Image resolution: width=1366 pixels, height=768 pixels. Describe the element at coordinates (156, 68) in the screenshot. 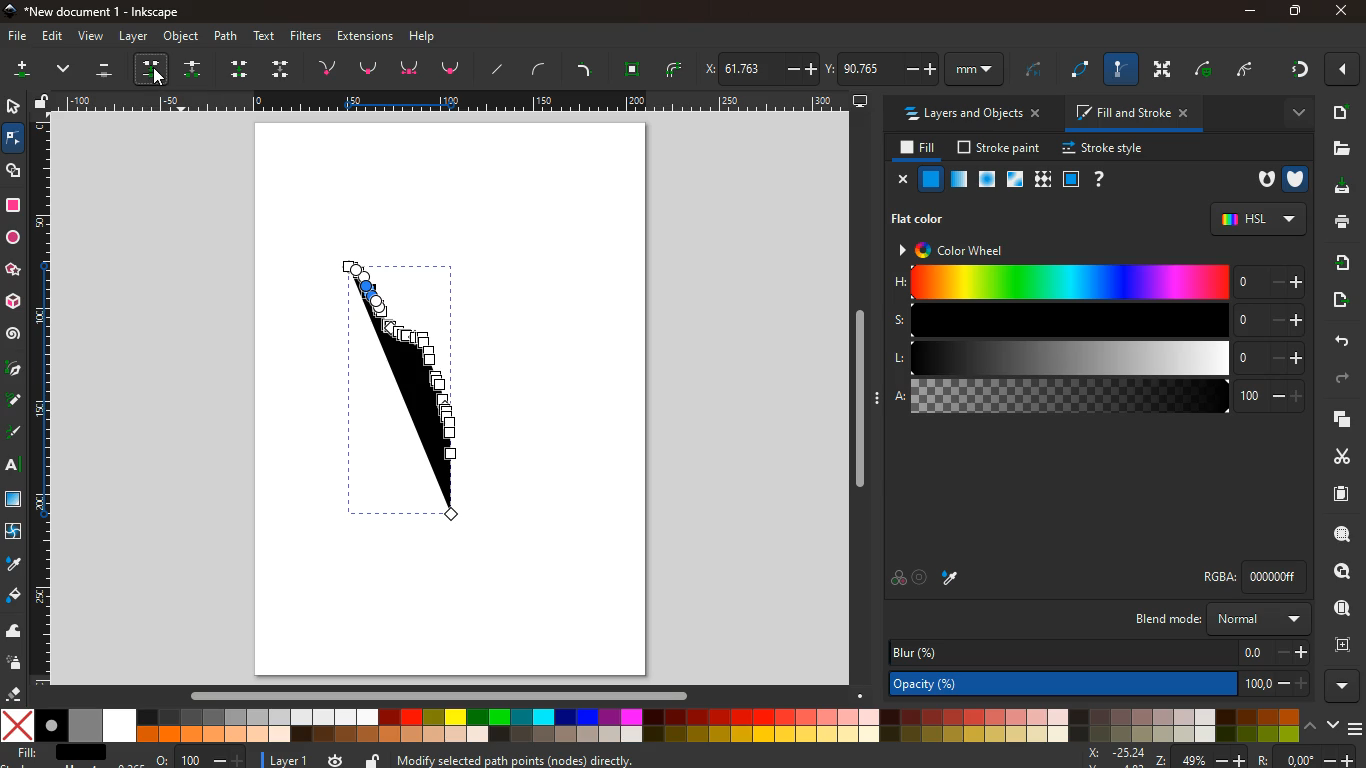

I see `drop` at that location.